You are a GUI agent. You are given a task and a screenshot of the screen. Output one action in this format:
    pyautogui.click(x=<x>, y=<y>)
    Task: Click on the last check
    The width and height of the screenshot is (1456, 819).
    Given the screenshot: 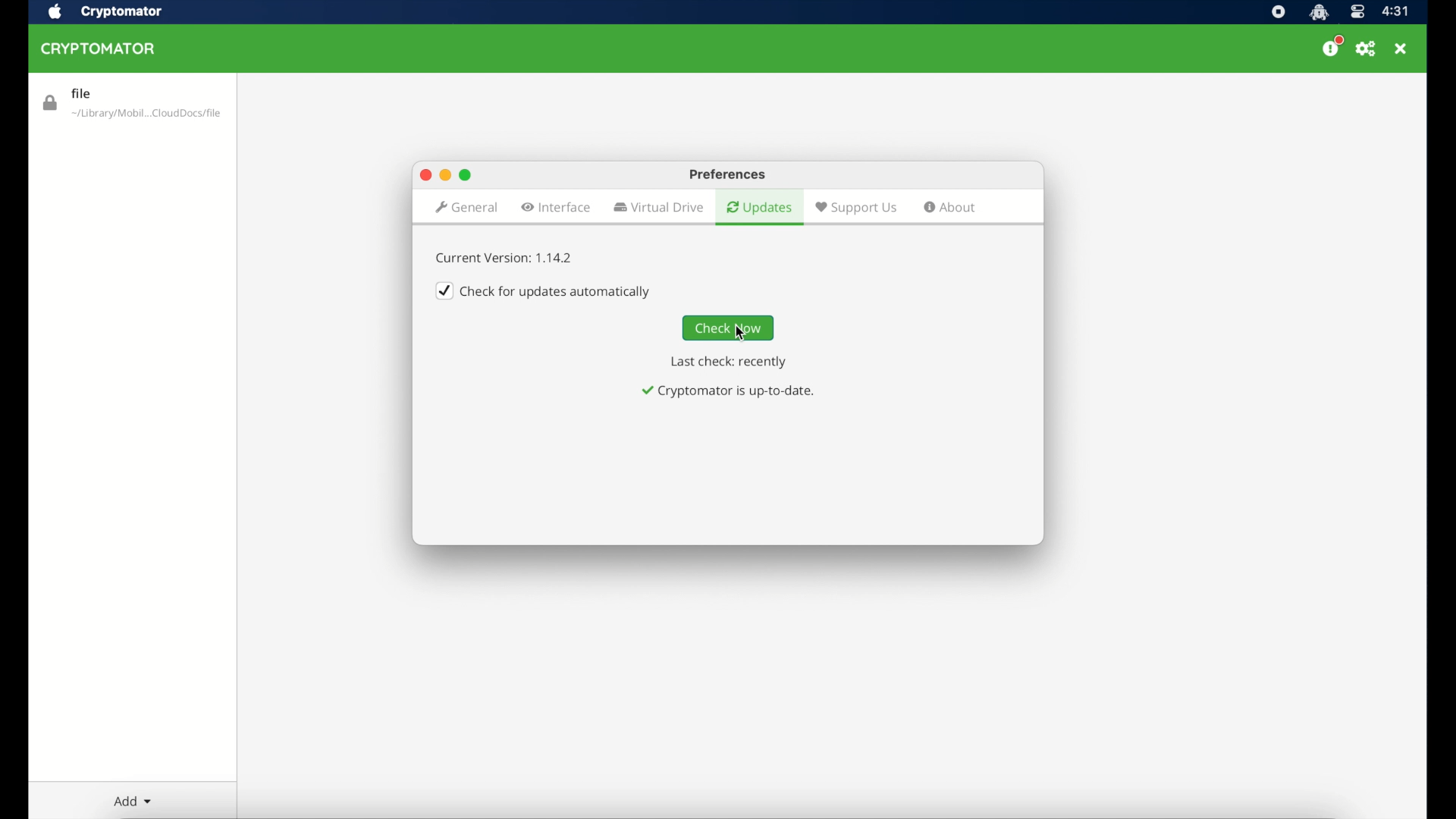 What is the action you would take?
    pyautogui.click(x=727, y=362)
    